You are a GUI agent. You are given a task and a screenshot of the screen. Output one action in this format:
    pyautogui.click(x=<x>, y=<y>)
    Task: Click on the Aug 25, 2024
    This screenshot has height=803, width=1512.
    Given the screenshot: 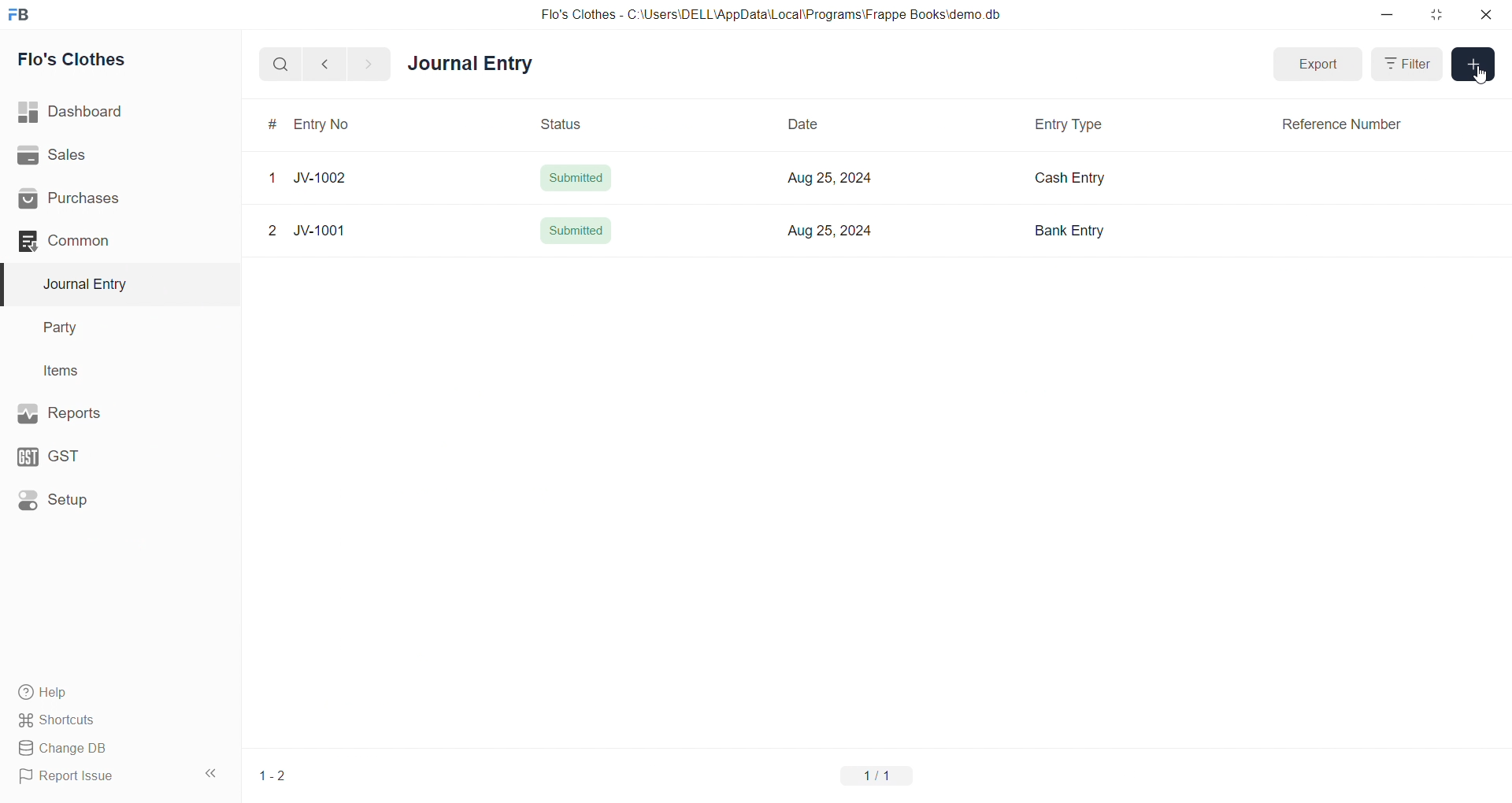 What is the action you would take?
    pyautogui.click(x=827, y=231)
    